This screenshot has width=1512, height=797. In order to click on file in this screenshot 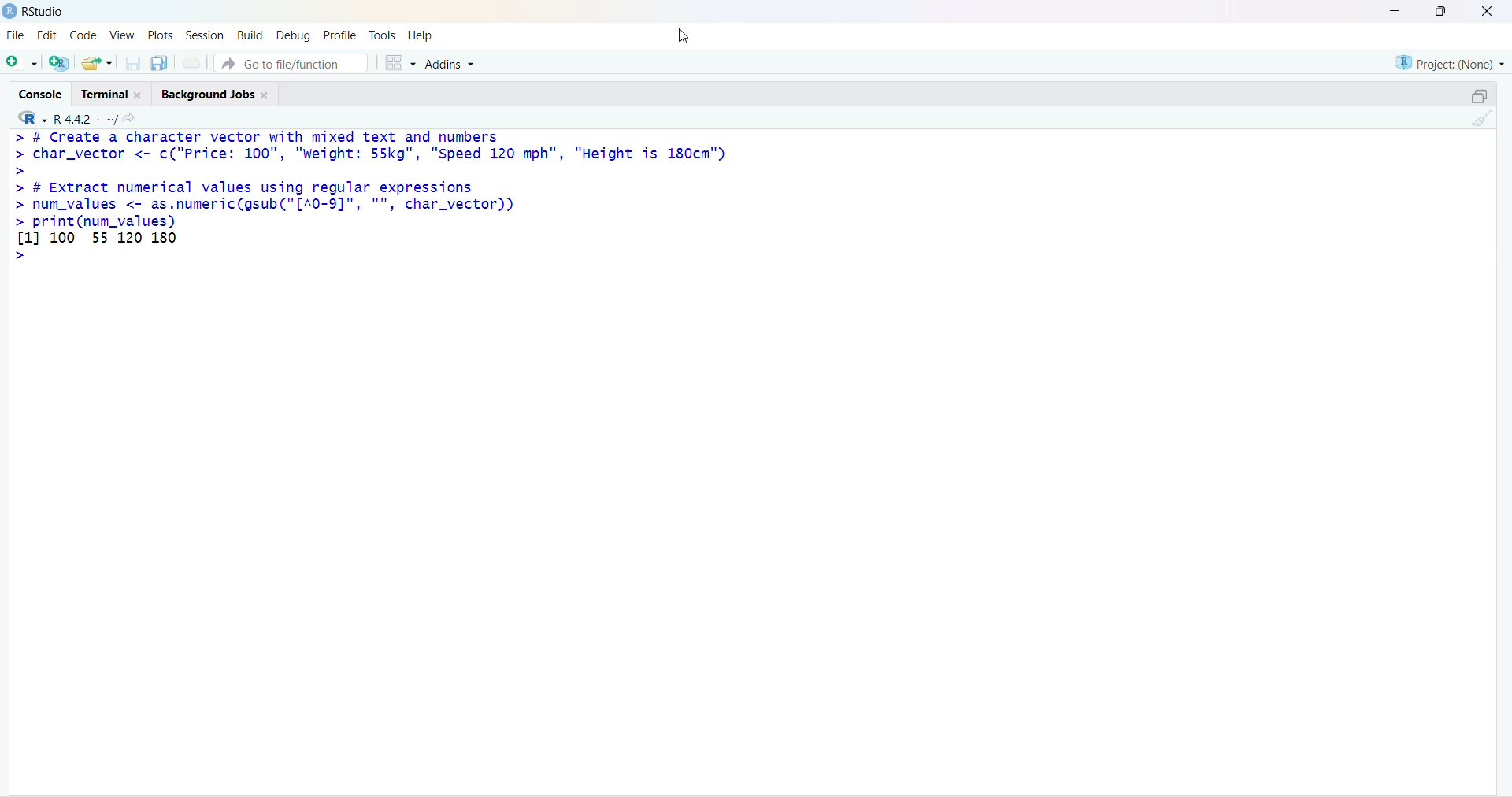, I will do `click(16, 34)`.